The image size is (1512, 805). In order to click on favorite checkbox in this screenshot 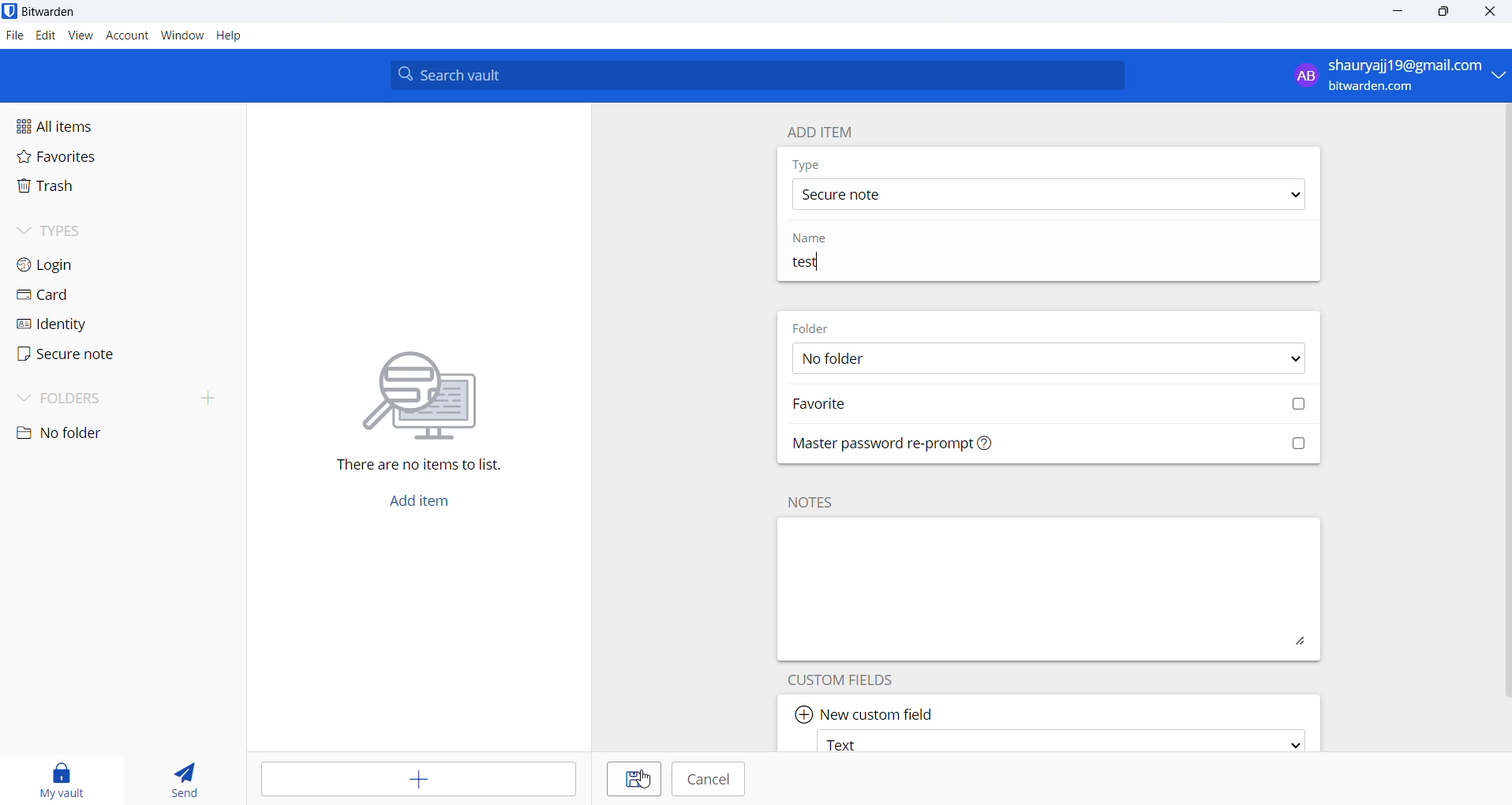, I will do `click(1052, 406)`.